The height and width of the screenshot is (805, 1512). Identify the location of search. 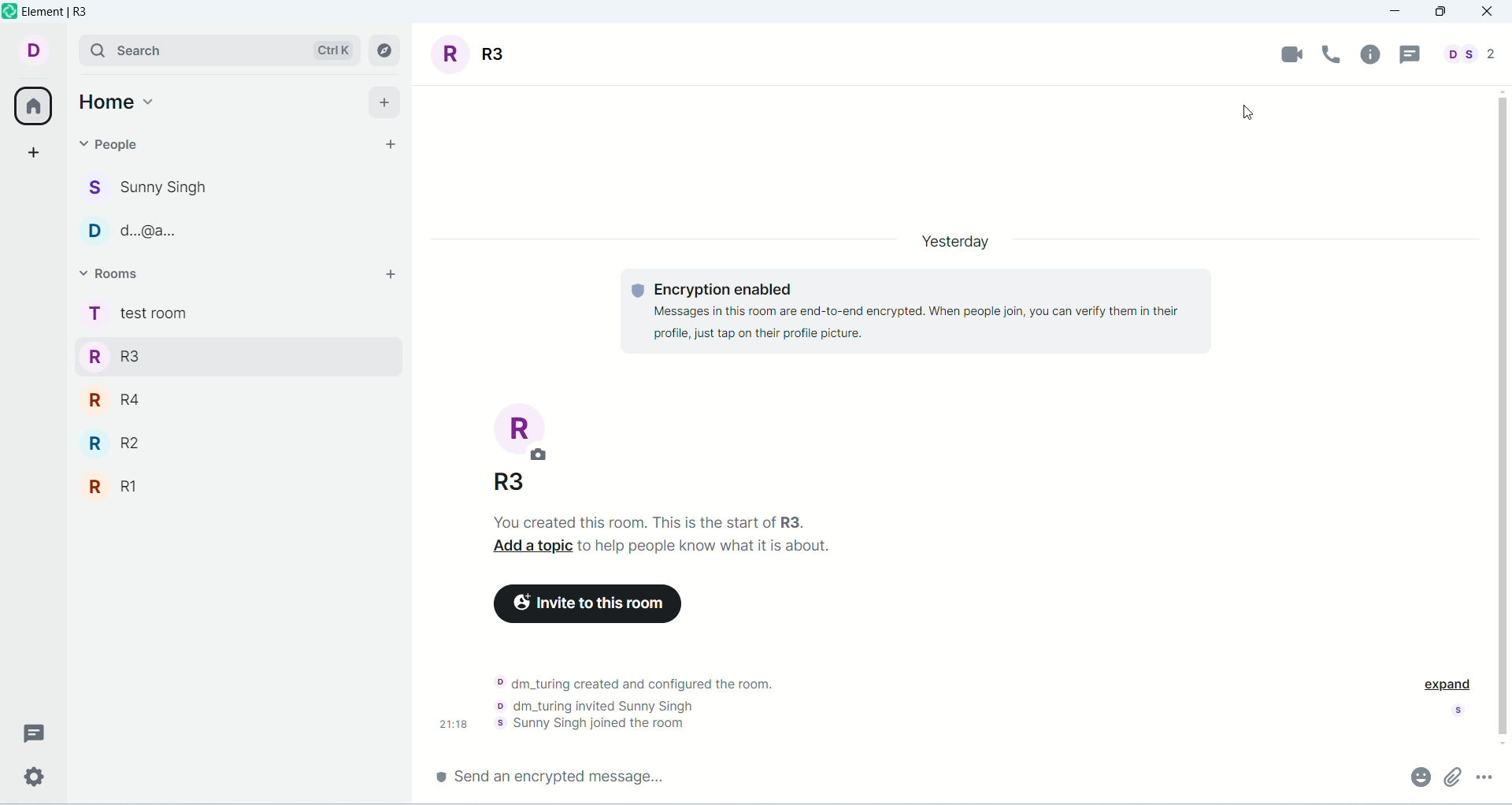
(221, 50).